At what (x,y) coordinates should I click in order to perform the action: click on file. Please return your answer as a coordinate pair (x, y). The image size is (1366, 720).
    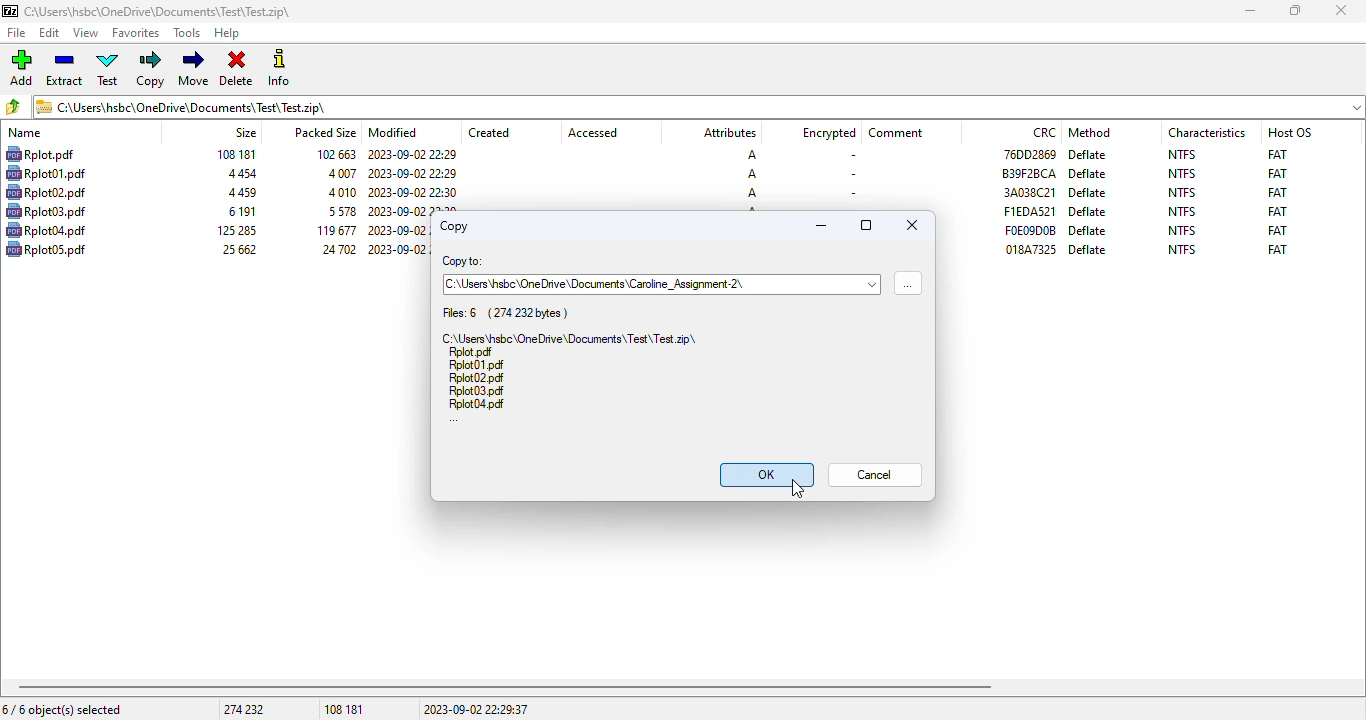
    Looking at the image, I should click on (39, 154).